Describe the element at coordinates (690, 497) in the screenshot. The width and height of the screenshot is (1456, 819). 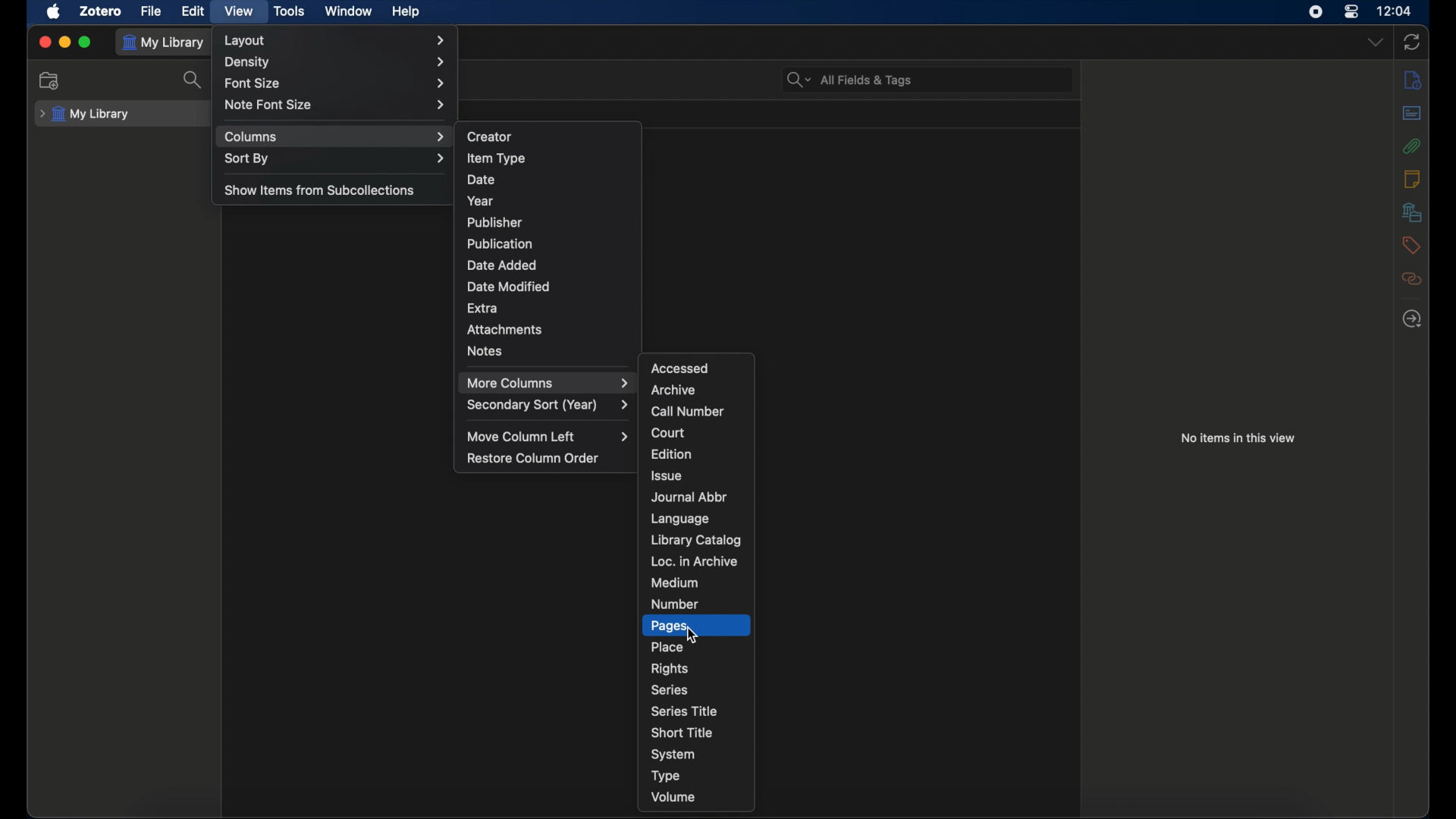
I see `journal abbr` at that location.